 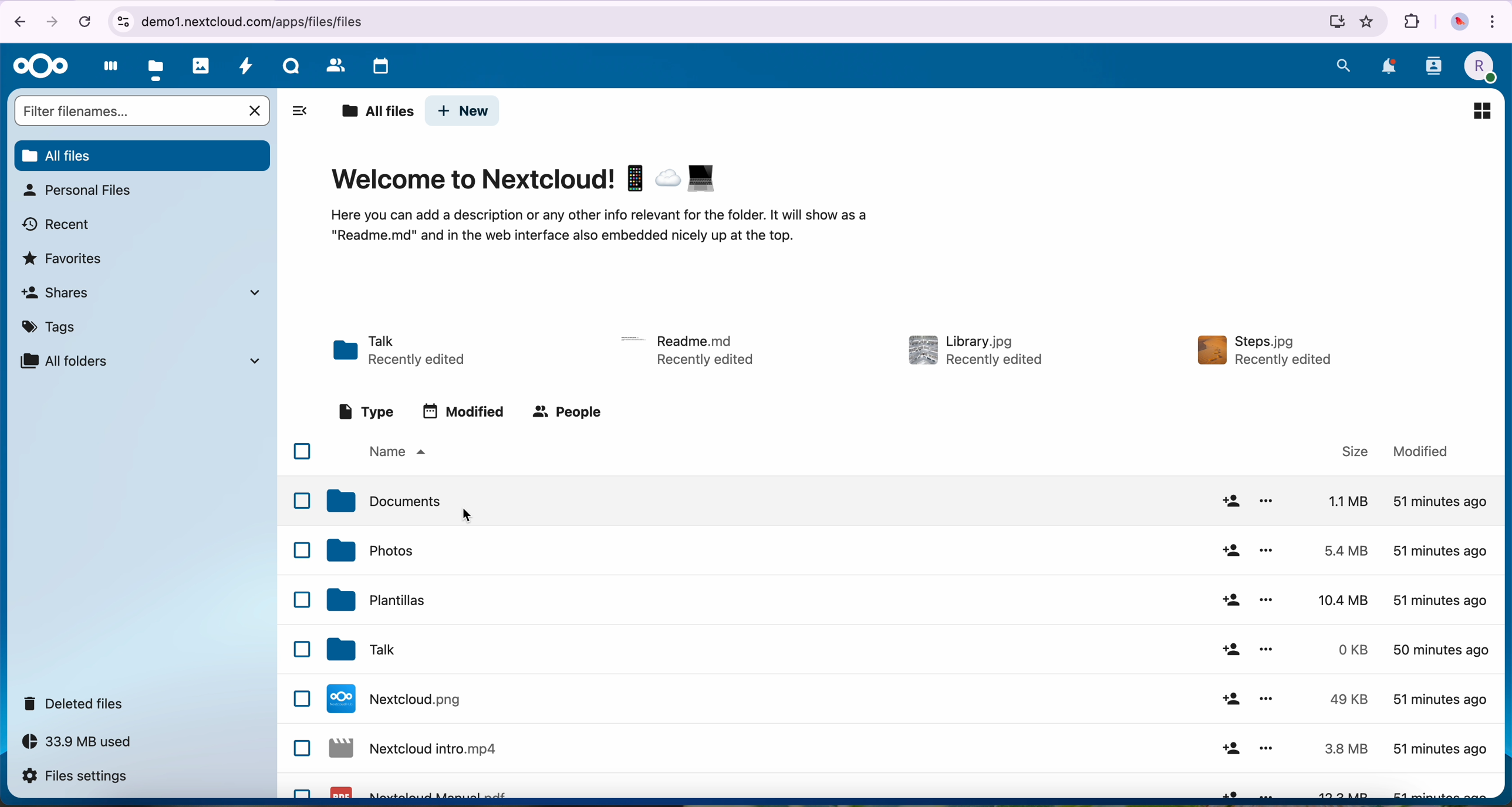 What do you see at coordinates (388, 501) in the screenshot?
I see `documents` at bounding box center [388, 501].